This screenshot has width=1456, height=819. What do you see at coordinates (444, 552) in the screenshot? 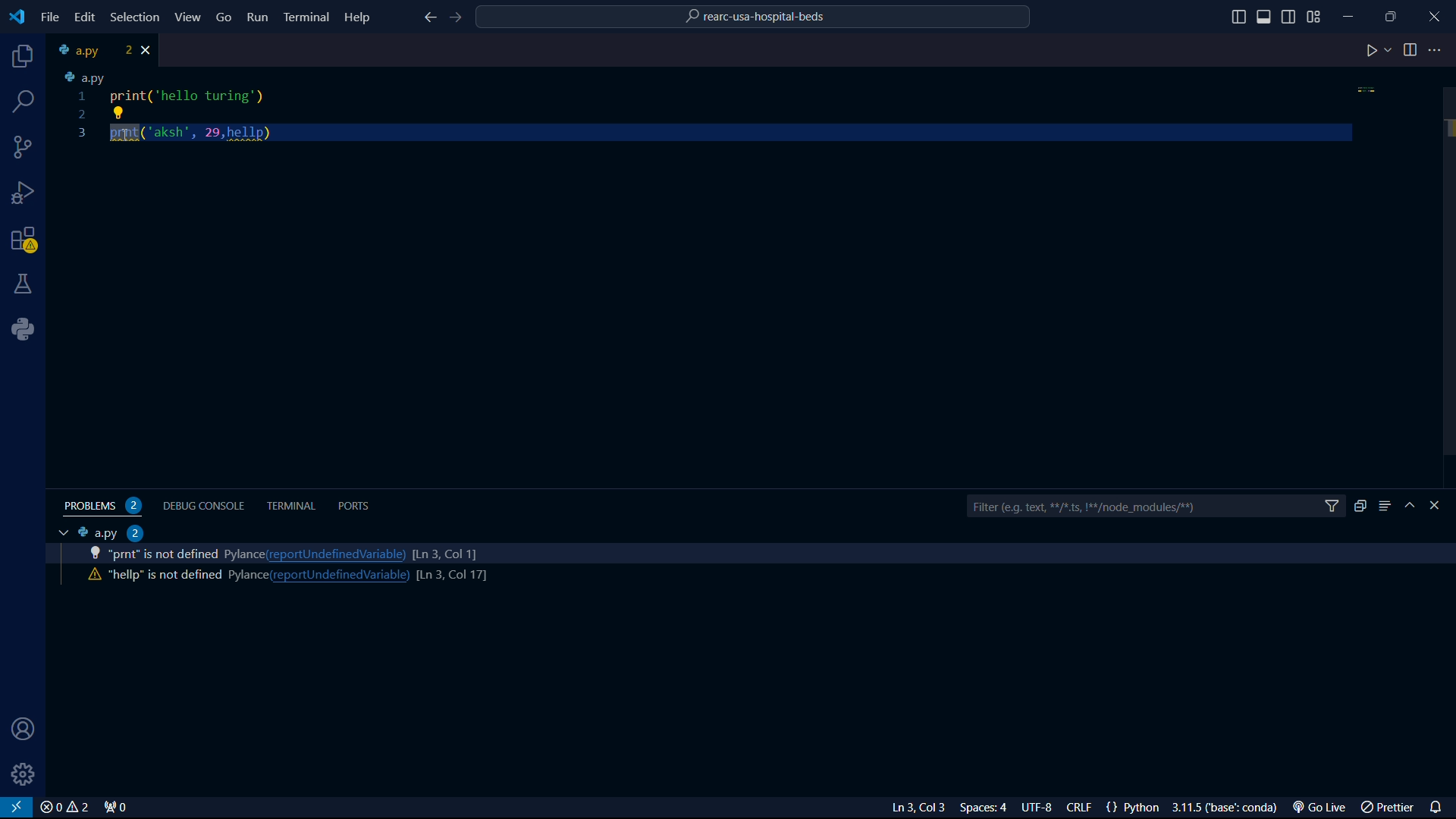
I see `line count` at bounding box center [444, 552].